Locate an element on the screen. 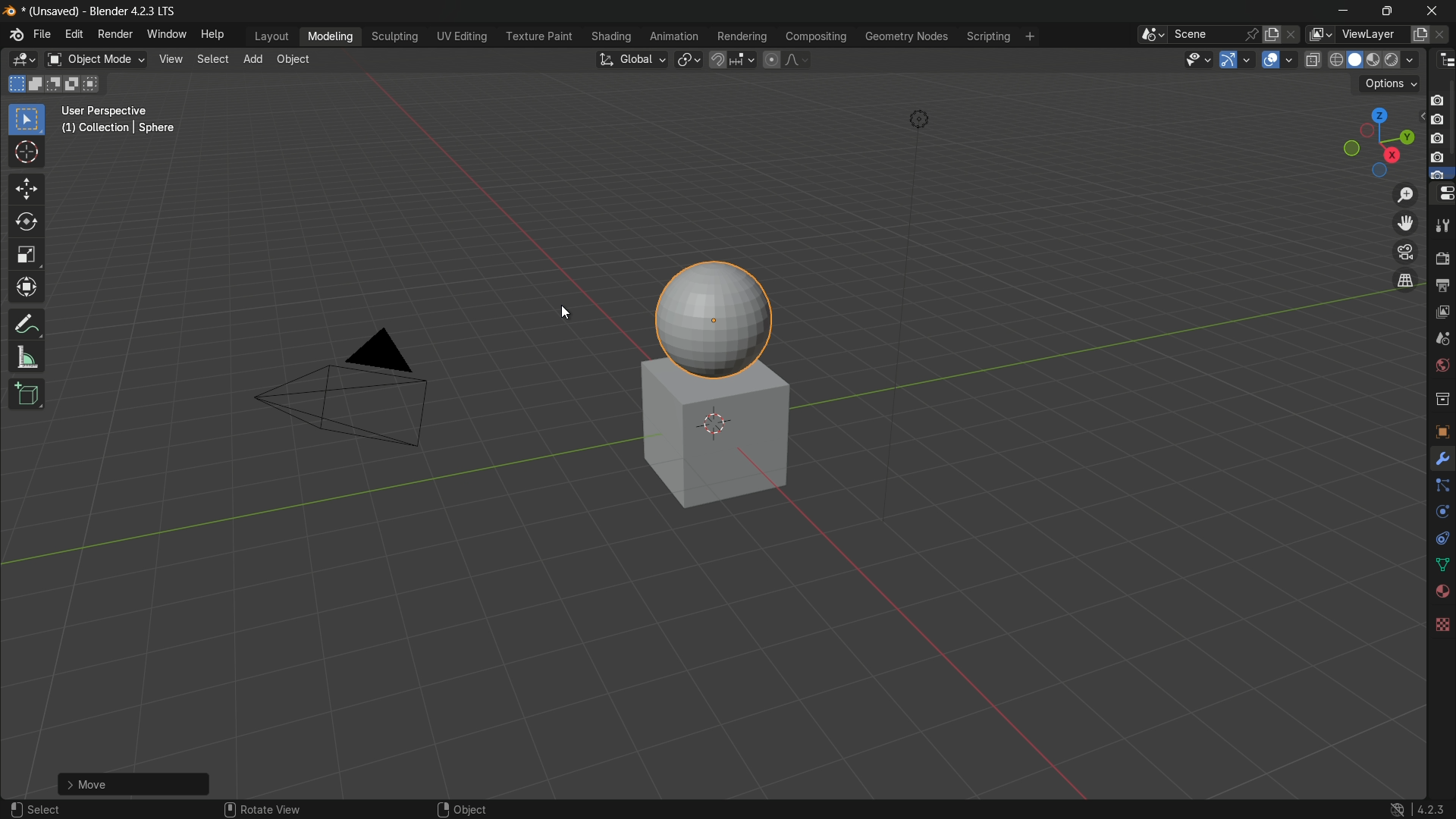 Image resolution: width=1456 pixels, height=819 pixels. select new selection is located at coordinates (16, 83).